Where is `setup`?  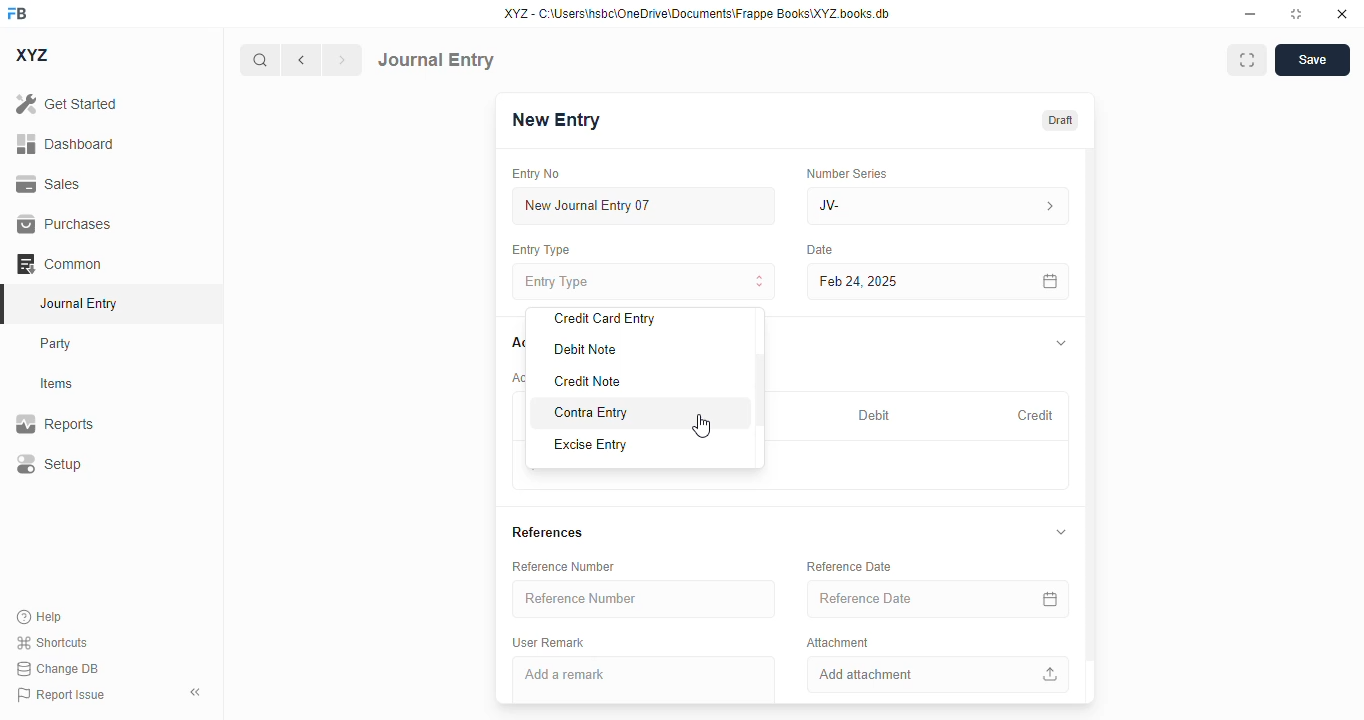 setup is located at coordinates (49, 463).